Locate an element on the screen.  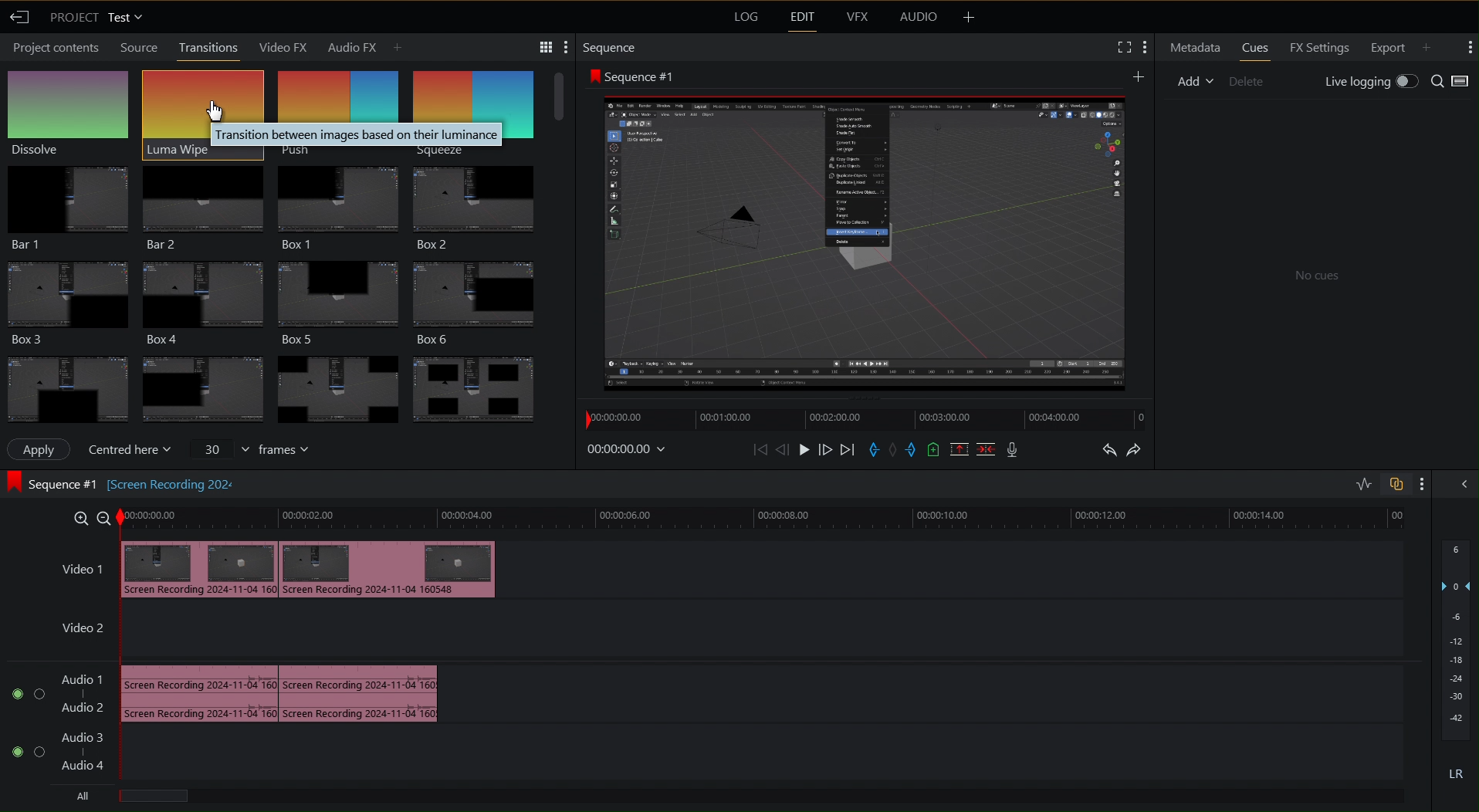
Live Logging is located at coordinates (1371, 80).